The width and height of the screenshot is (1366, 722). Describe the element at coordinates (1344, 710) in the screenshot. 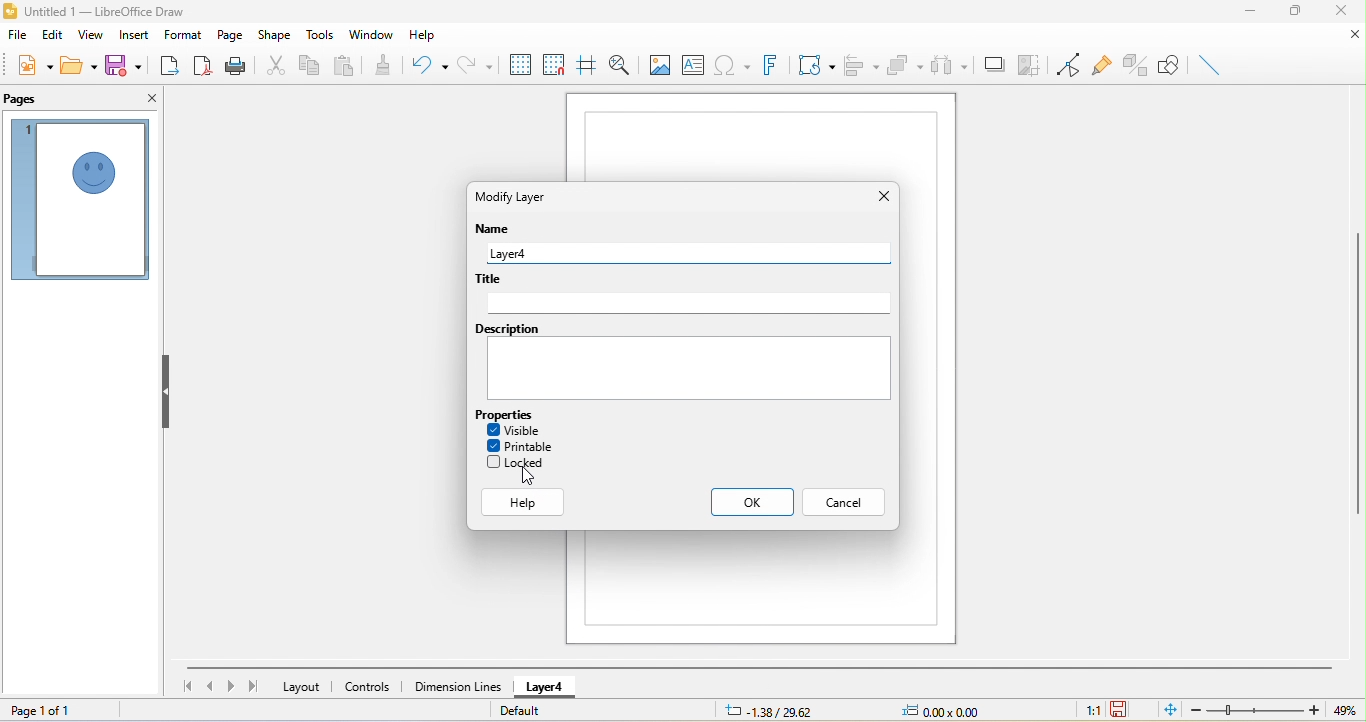

I see `49%` at that location.